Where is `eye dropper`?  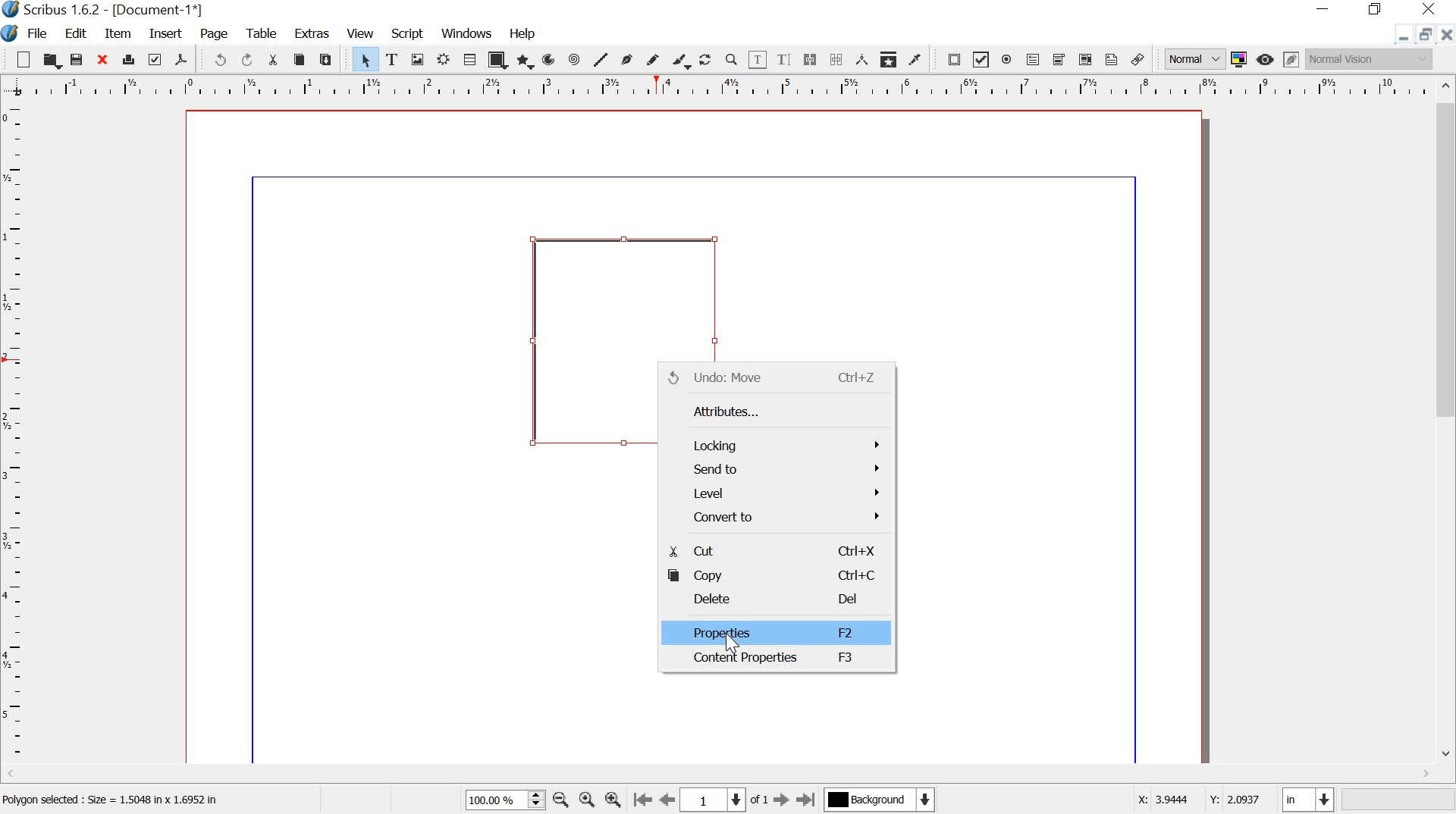
eye dropper is located at coordinates (917, 61).